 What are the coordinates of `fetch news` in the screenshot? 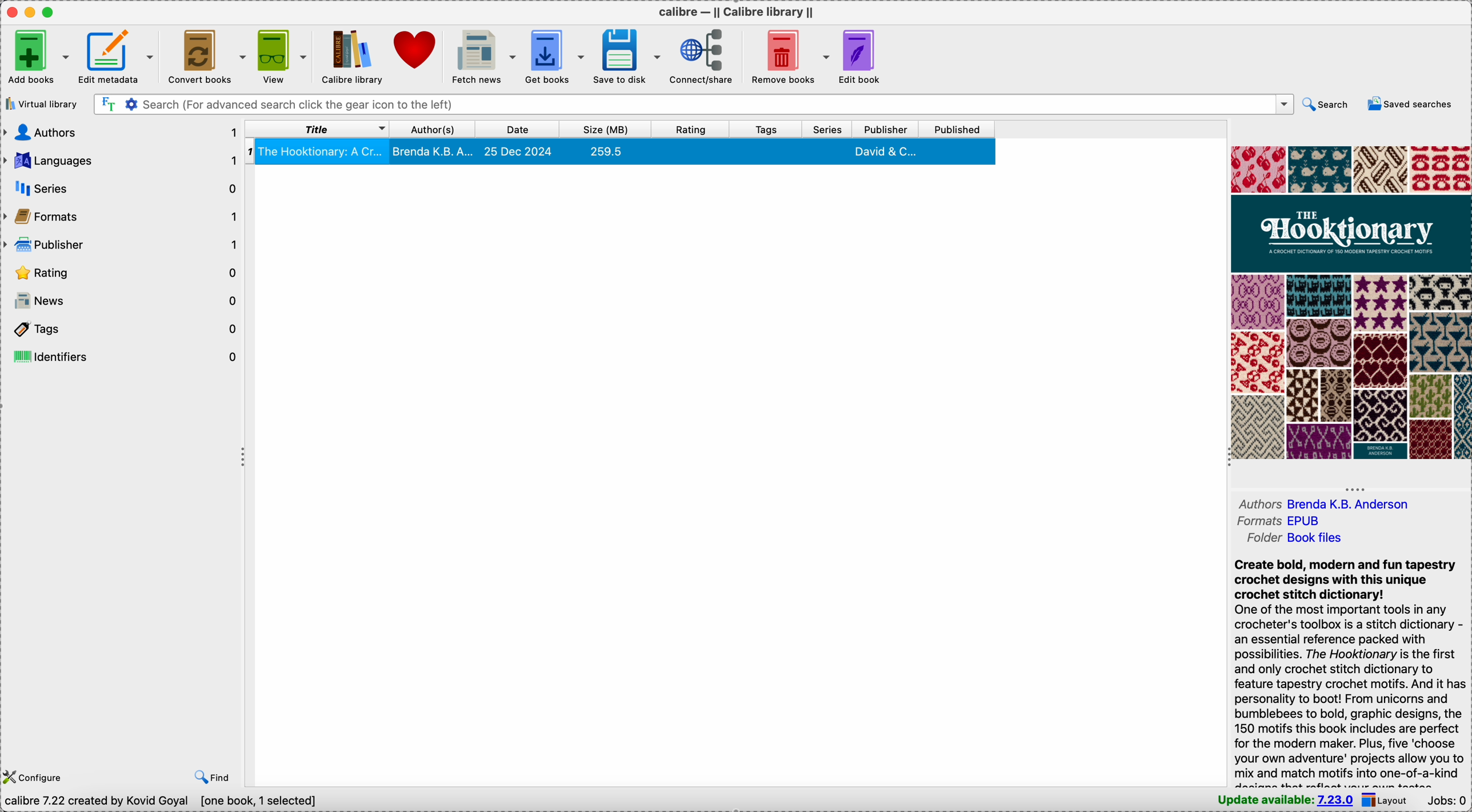 It's located at (481, 56).